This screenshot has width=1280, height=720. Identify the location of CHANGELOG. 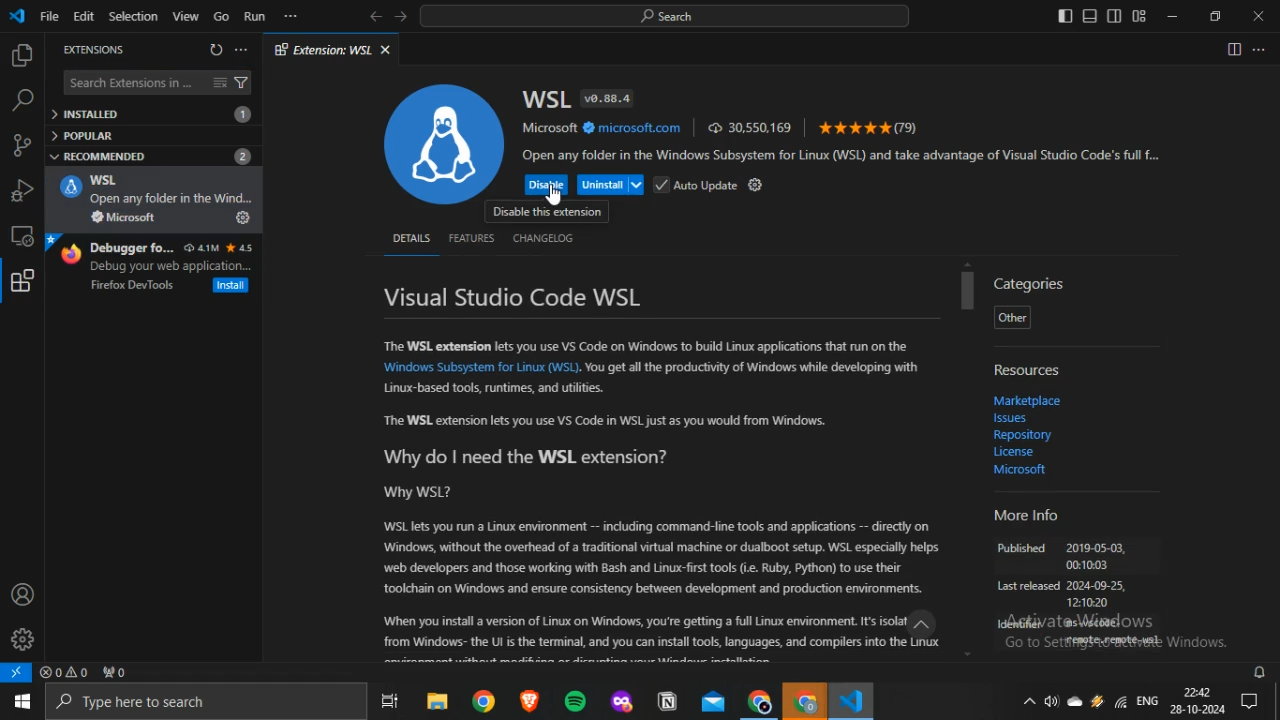
(544, 238).